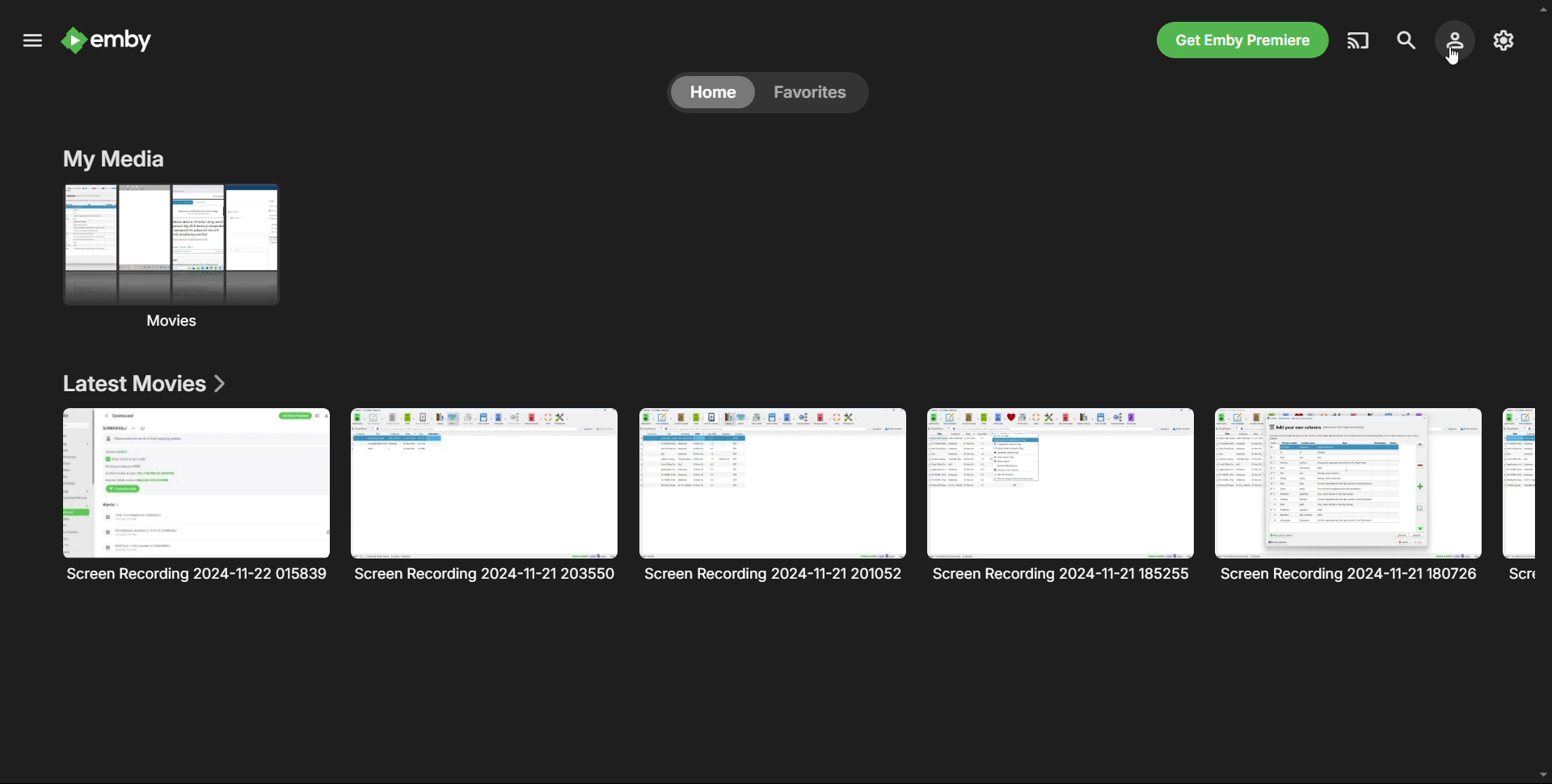 The width and height of the screenshot is (1552, 784). I want to click on play on another device, so click(1360, 40).